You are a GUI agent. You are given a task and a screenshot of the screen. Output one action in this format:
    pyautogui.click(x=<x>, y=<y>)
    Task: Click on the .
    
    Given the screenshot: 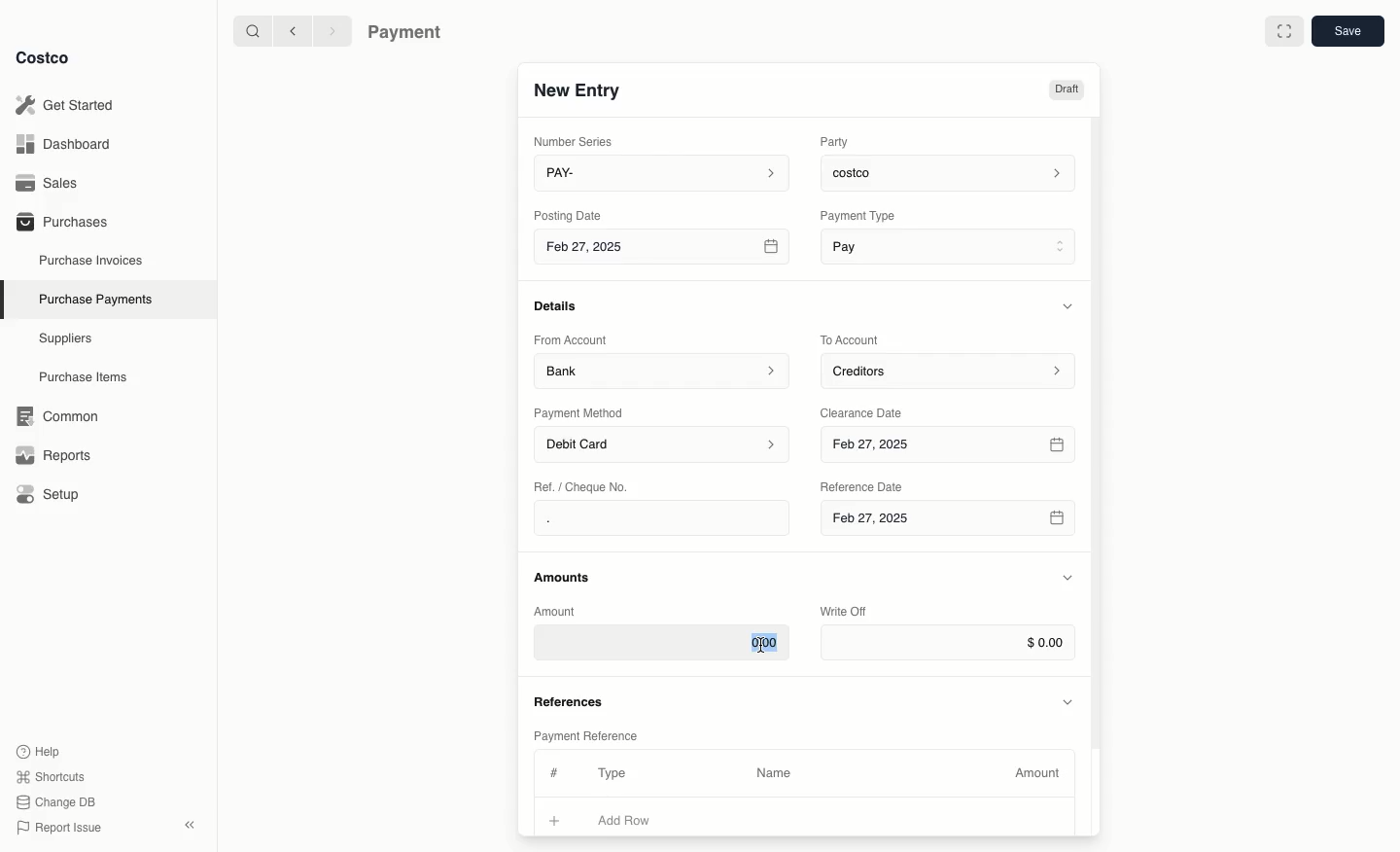 What is the action you would take?
    pyautogui.click(x=606, y=518)
    